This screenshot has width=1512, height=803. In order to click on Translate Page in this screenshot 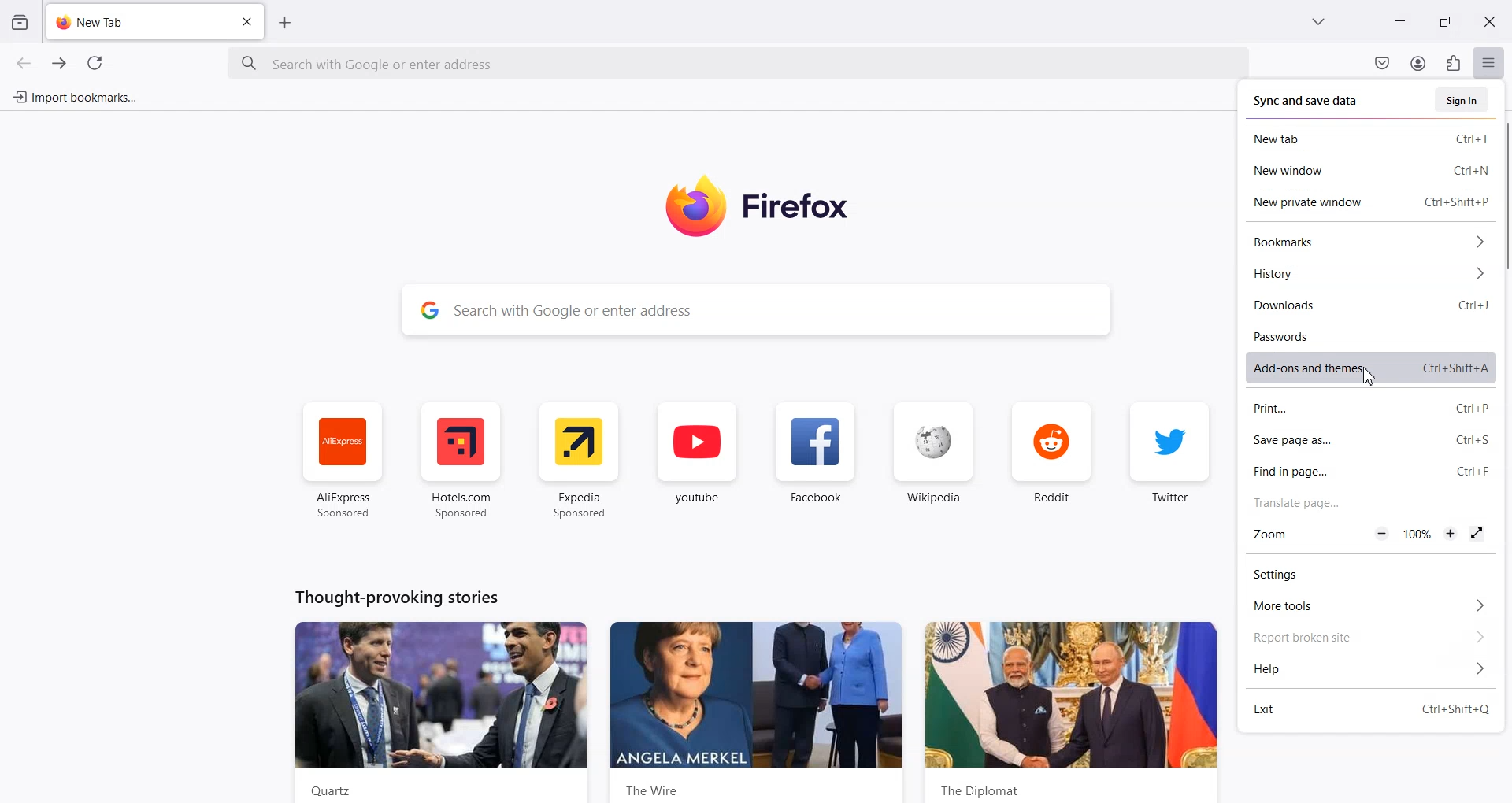, I will do `click(1367, 501)`.